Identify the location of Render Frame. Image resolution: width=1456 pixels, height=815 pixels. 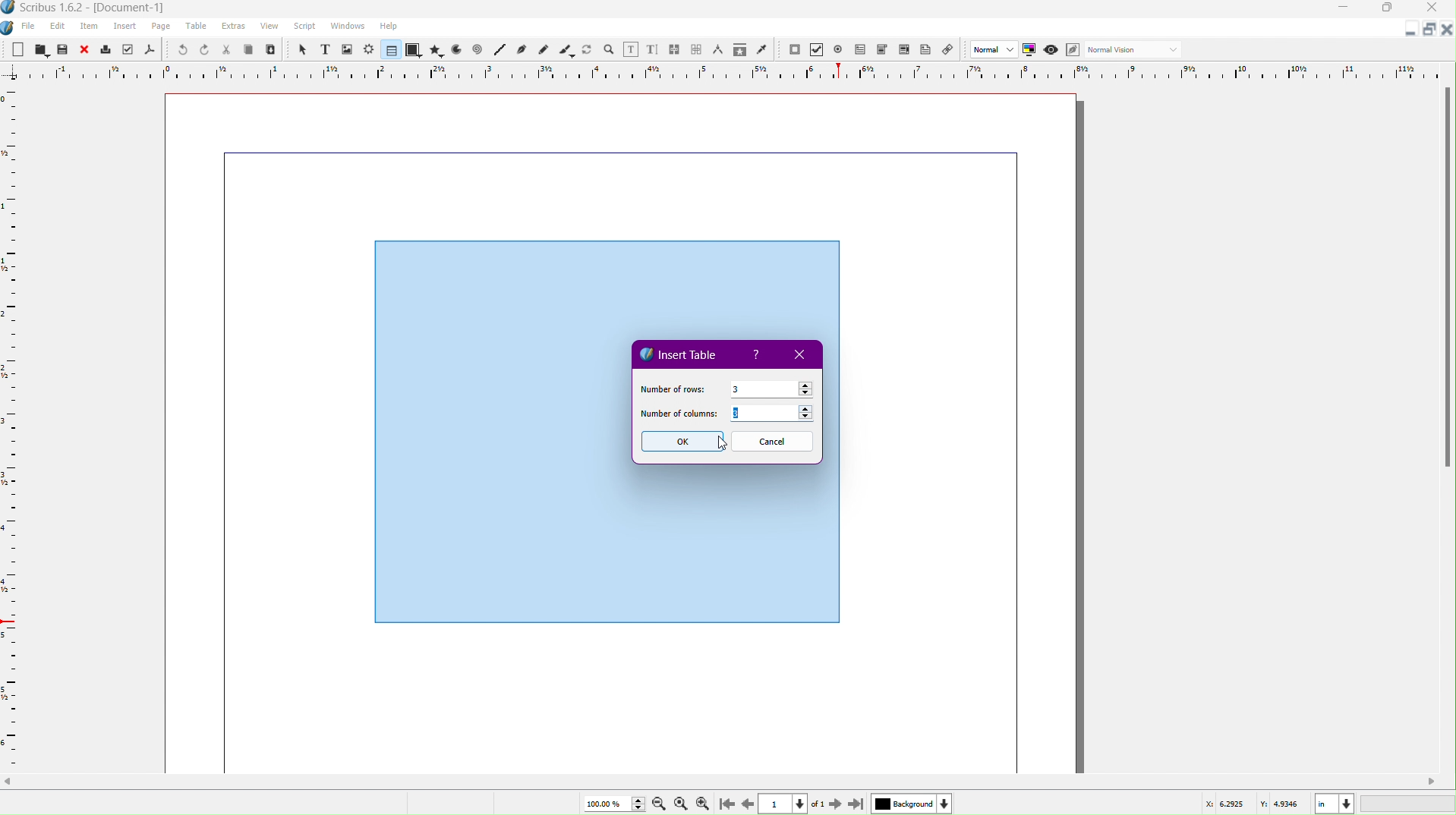
(370, 49).